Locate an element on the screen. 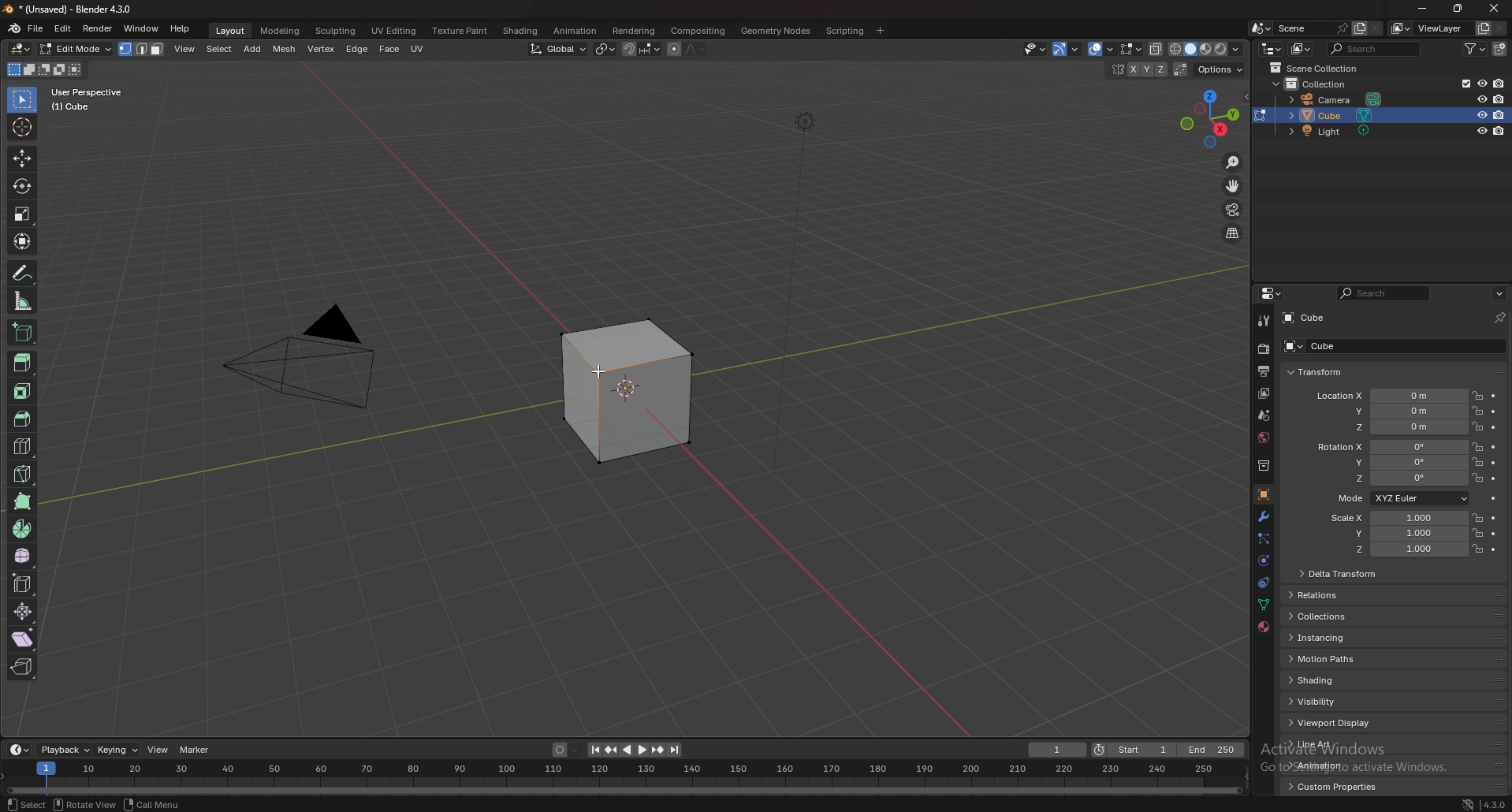  animate property is located at coordinates (1494, 550).